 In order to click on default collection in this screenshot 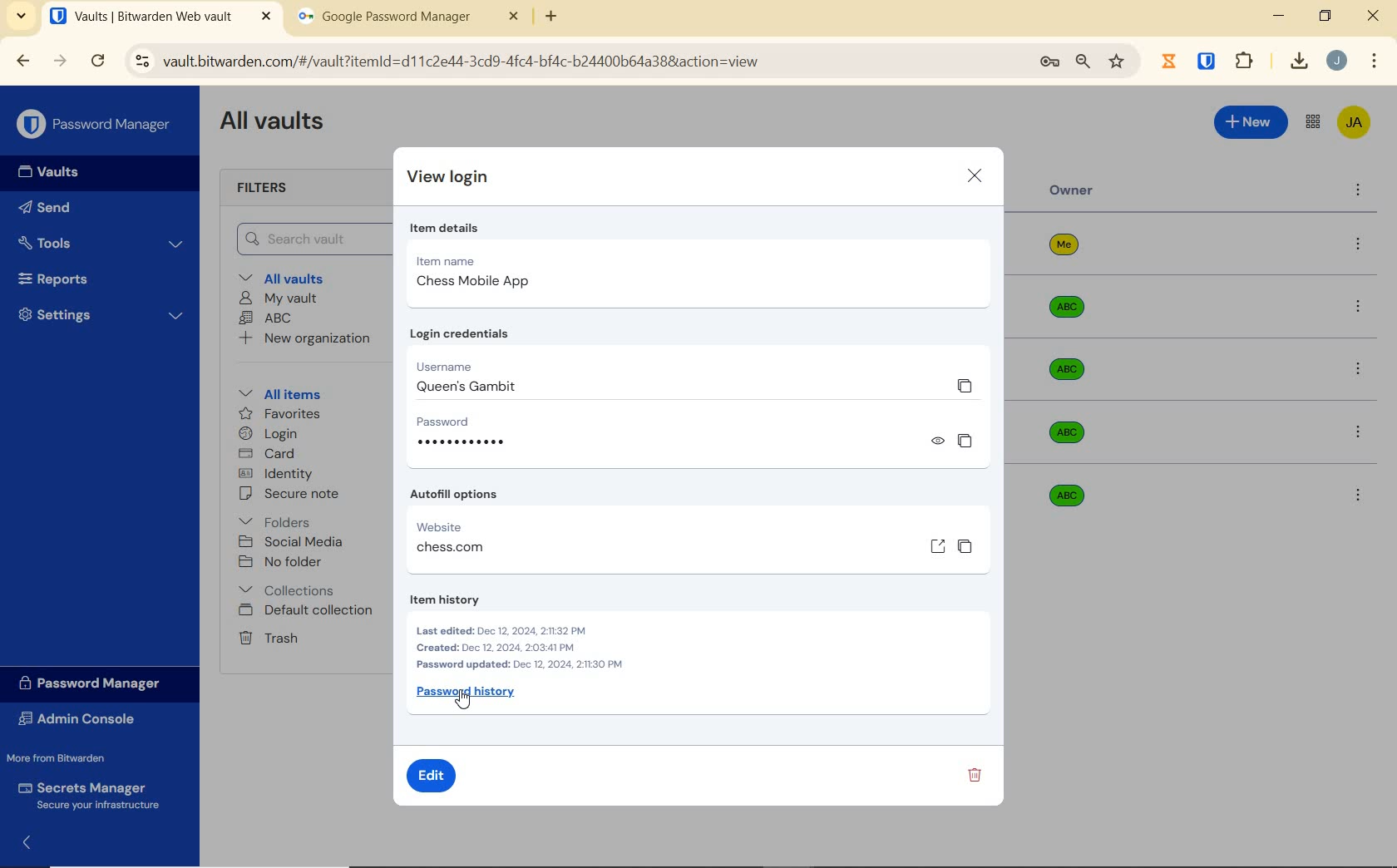, I will do `click(309, 611)`.